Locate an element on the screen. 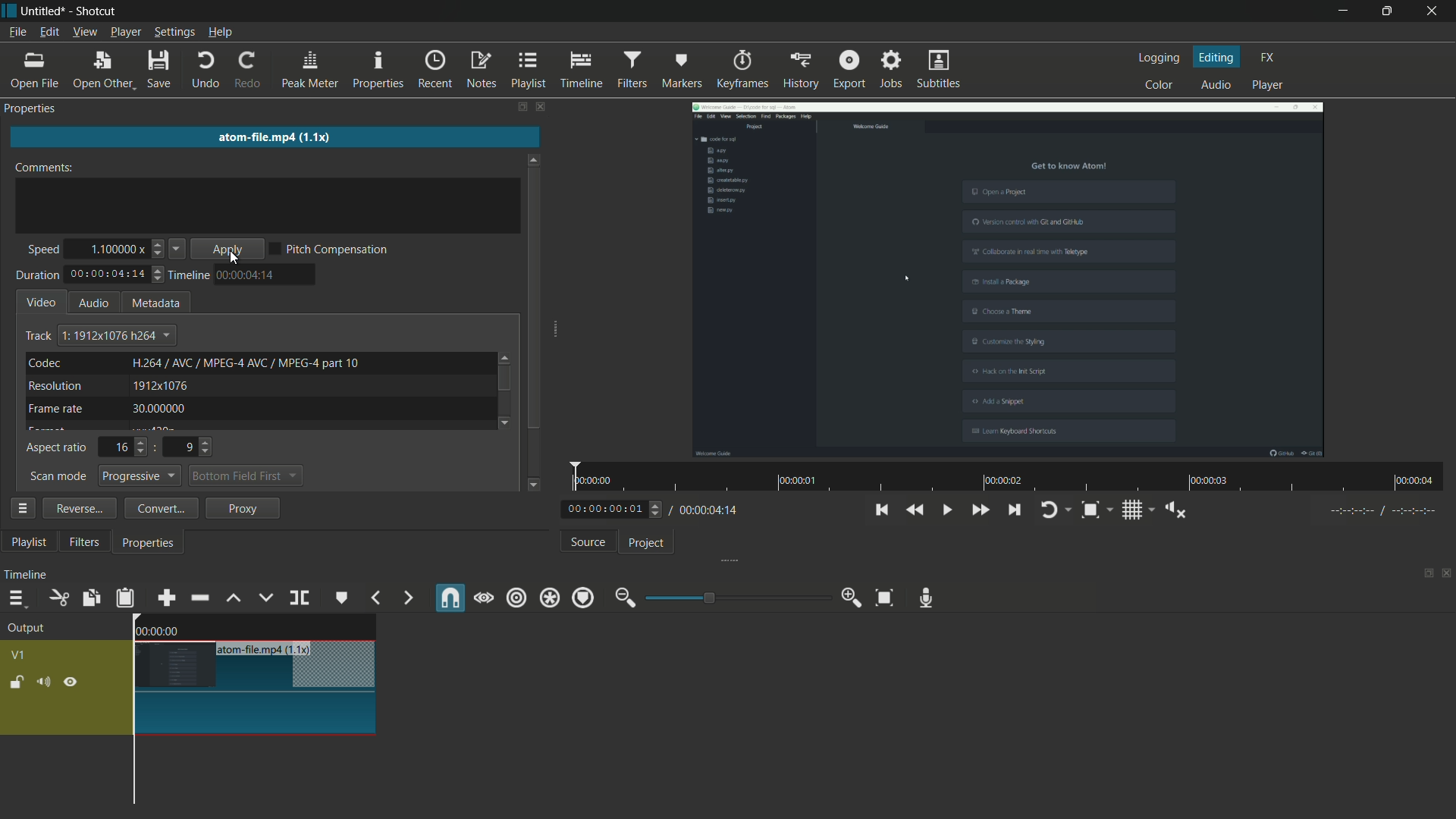  go down is located at coordinates (508, 421).